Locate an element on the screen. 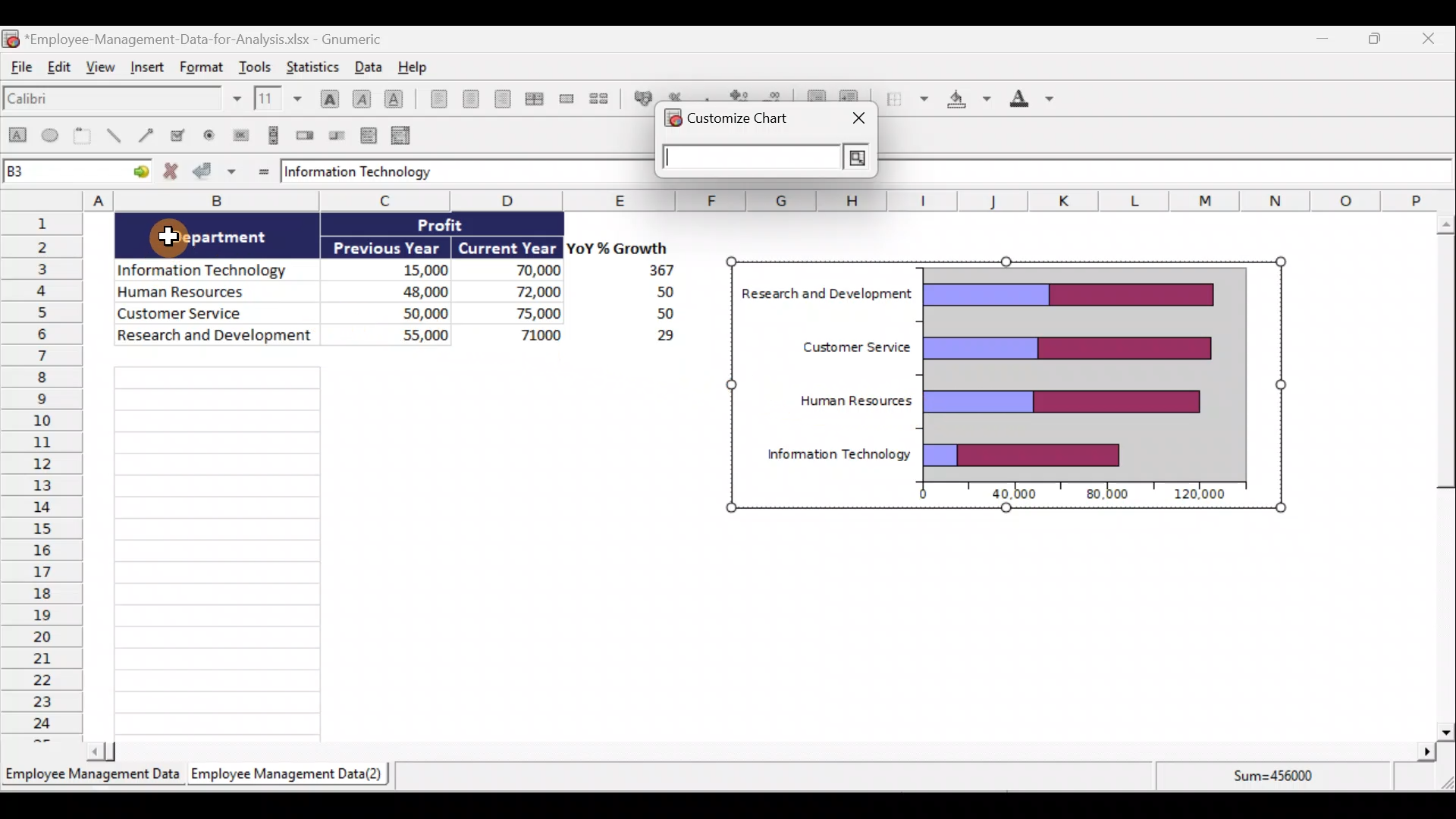  Customer Service is located at coordinates (846, 350).